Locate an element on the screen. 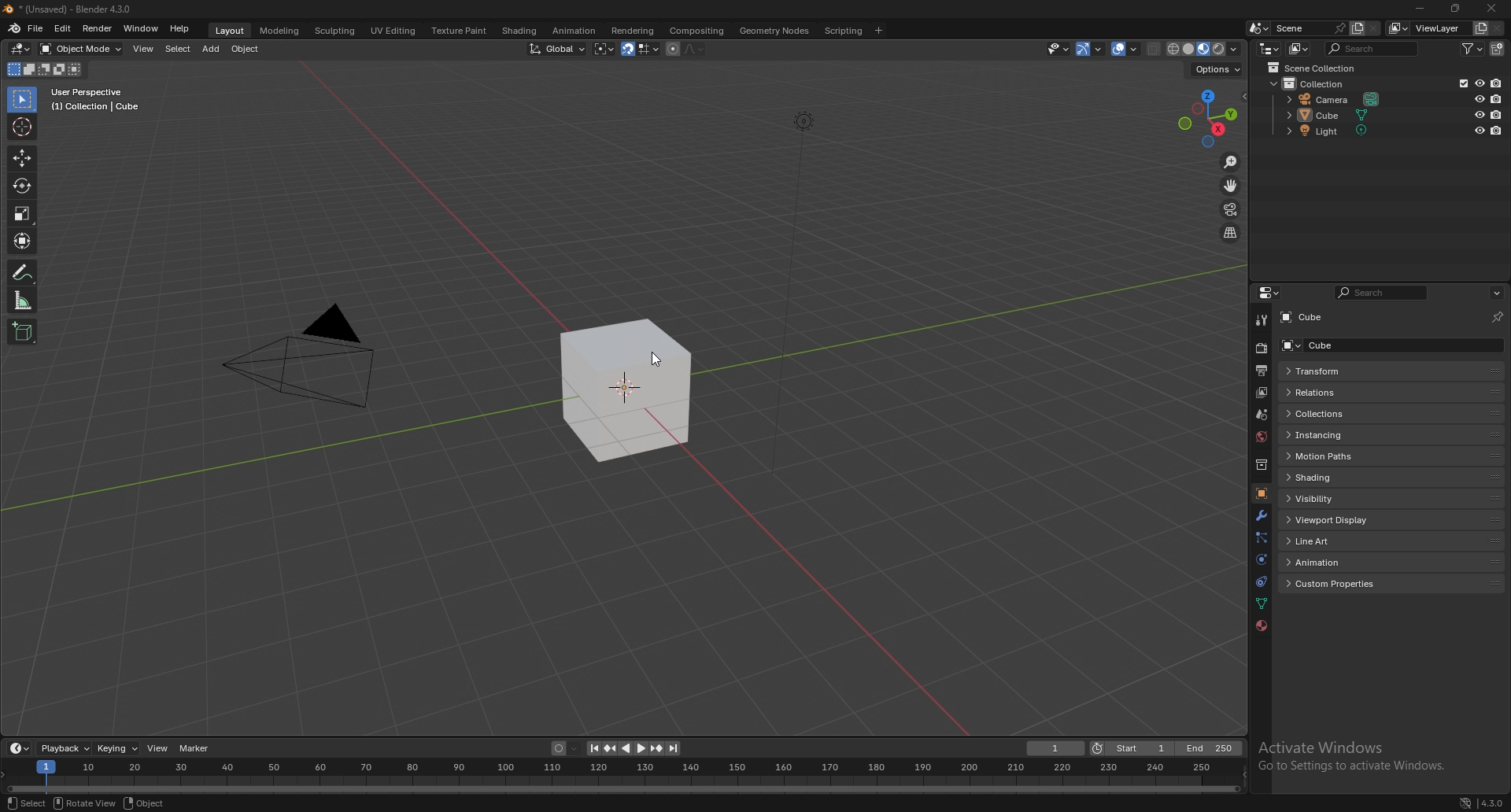 The image size is (1511, 812). editor type is located at coordinates (20, 49).